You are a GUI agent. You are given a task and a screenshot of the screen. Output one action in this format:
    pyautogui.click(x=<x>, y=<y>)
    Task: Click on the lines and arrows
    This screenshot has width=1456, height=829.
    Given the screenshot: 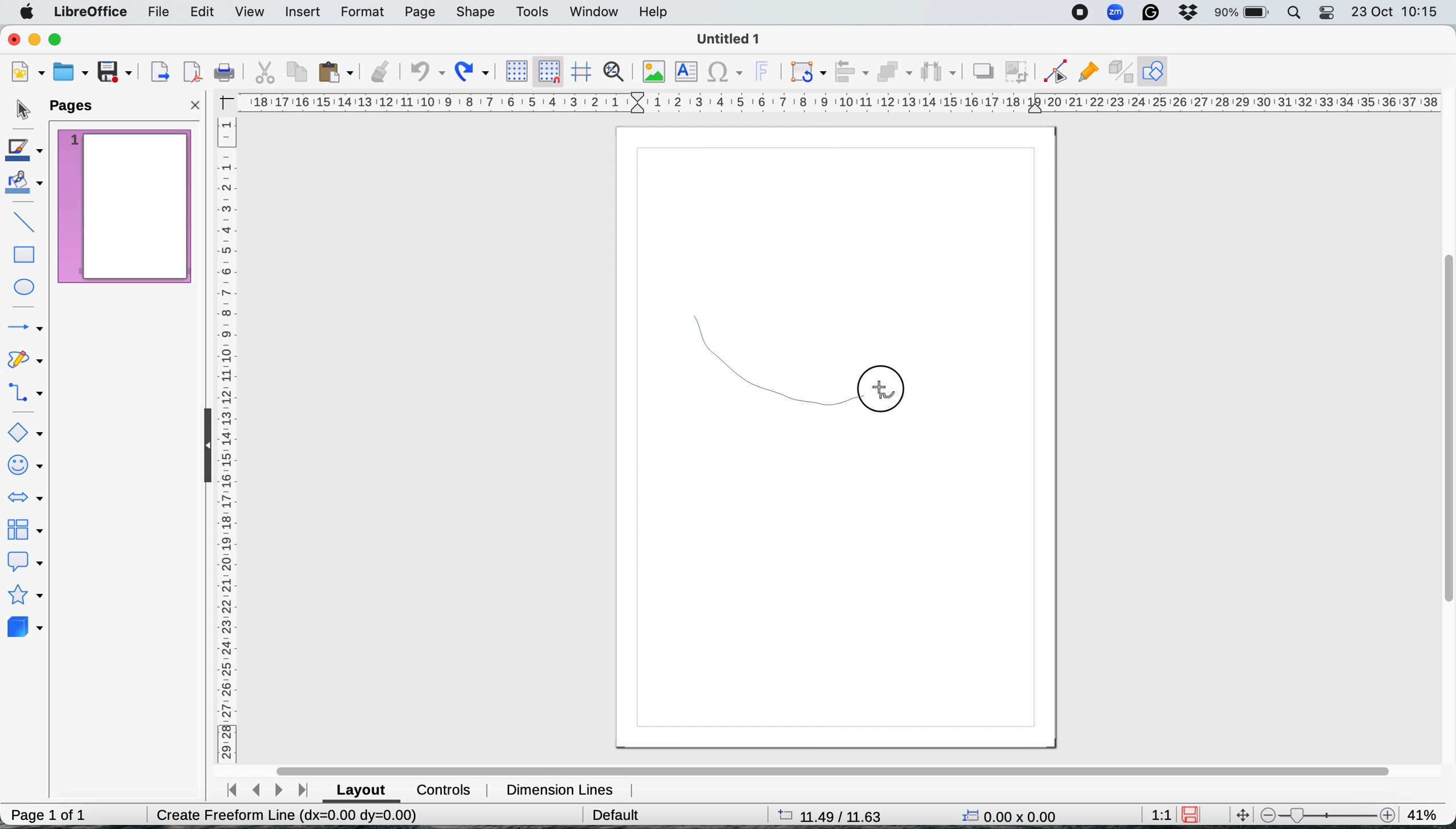 What is the action you would take?
    pyautogui.click(x=24, y=327)
    